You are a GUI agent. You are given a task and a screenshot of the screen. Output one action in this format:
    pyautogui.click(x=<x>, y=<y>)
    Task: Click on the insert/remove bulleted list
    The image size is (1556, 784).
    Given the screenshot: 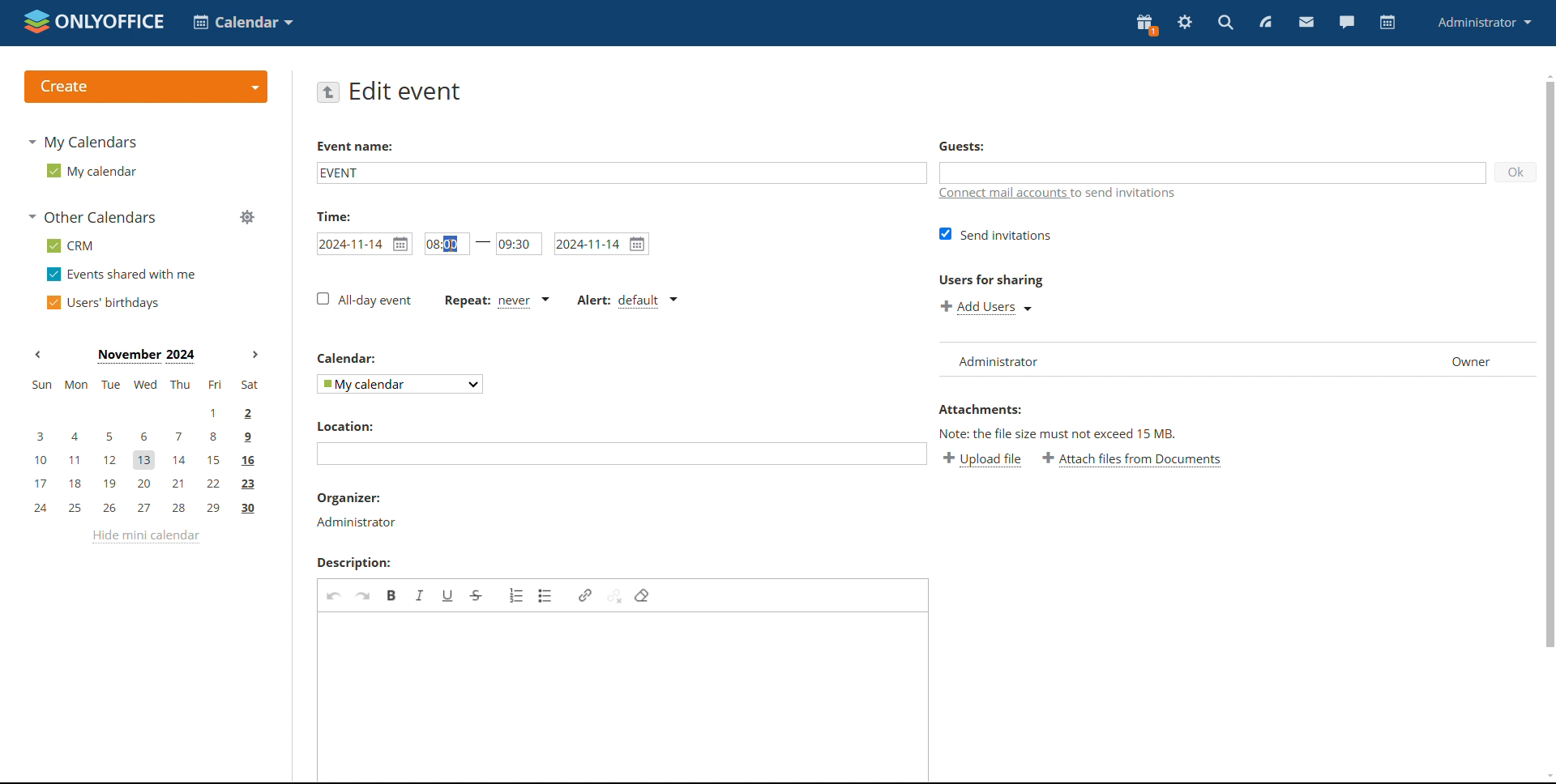 What is the action you would take?
    pyautogui.click(x=546, y=596)
    